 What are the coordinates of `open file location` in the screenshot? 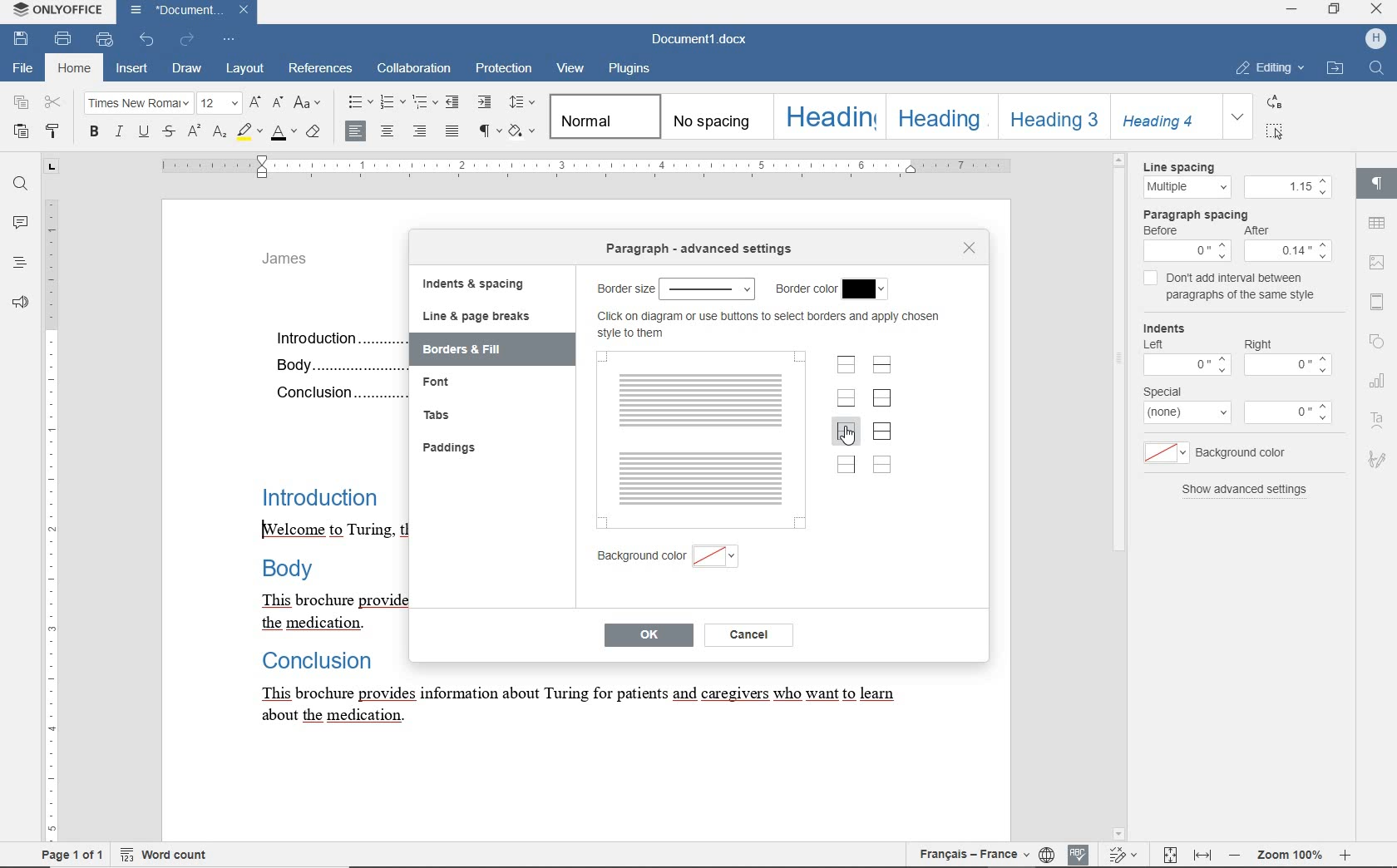 It's located at (1335, 70).